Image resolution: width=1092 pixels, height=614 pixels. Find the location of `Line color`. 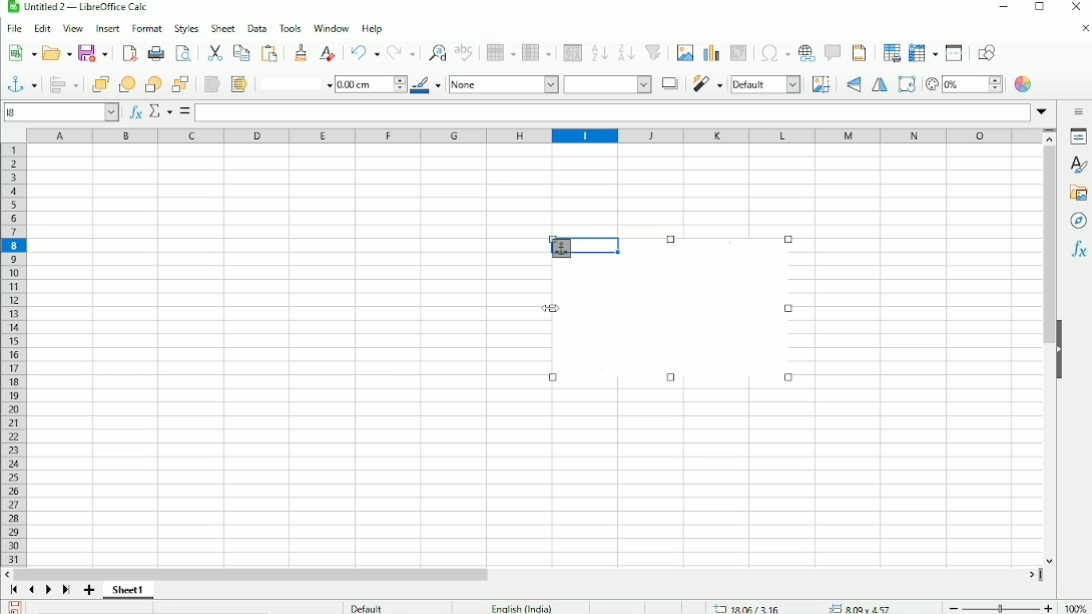

Line color is located at coordinates (427, 85).